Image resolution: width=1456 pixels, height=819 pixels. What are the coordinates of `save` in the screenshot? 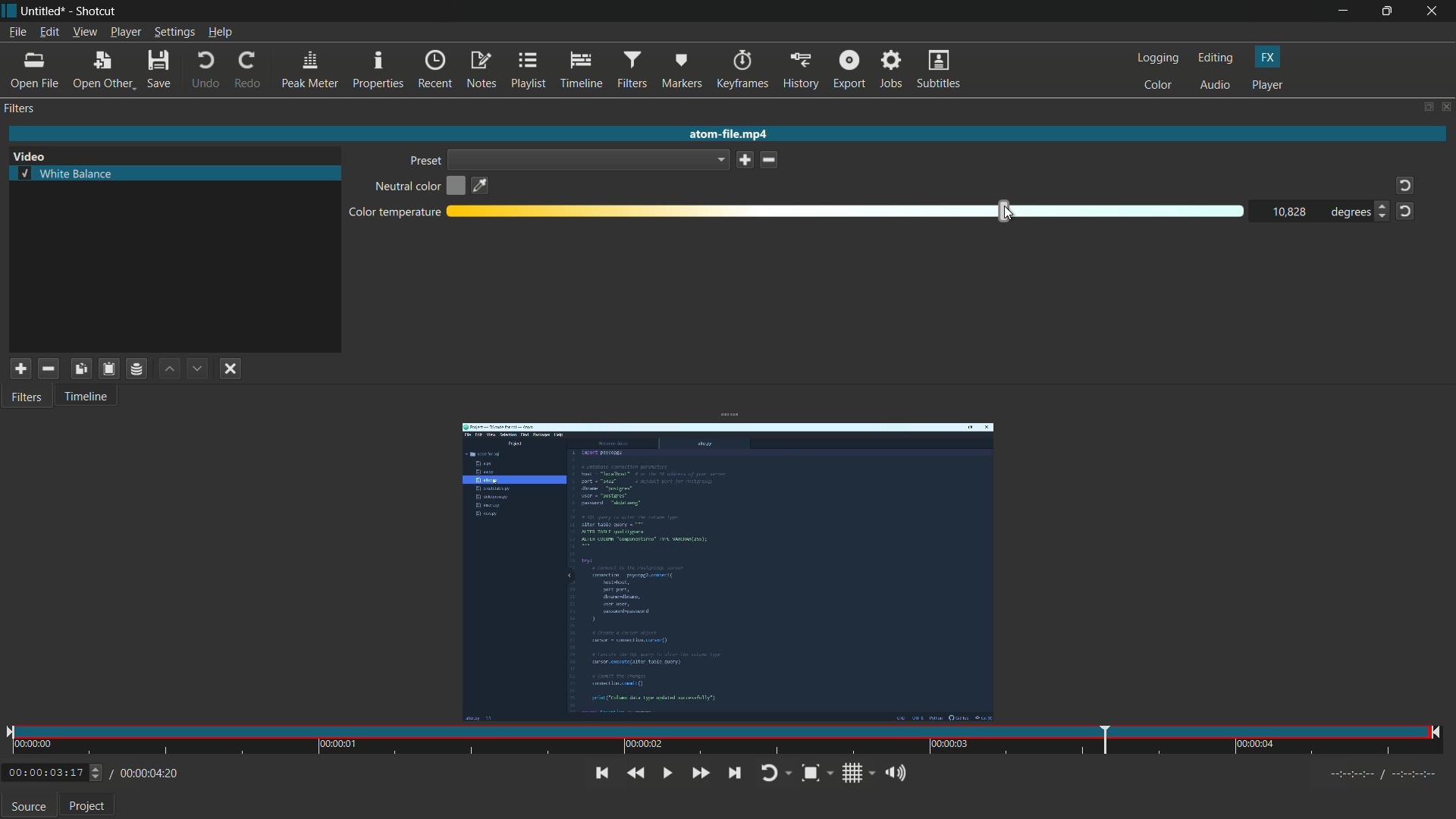 It's located at (745, 159).